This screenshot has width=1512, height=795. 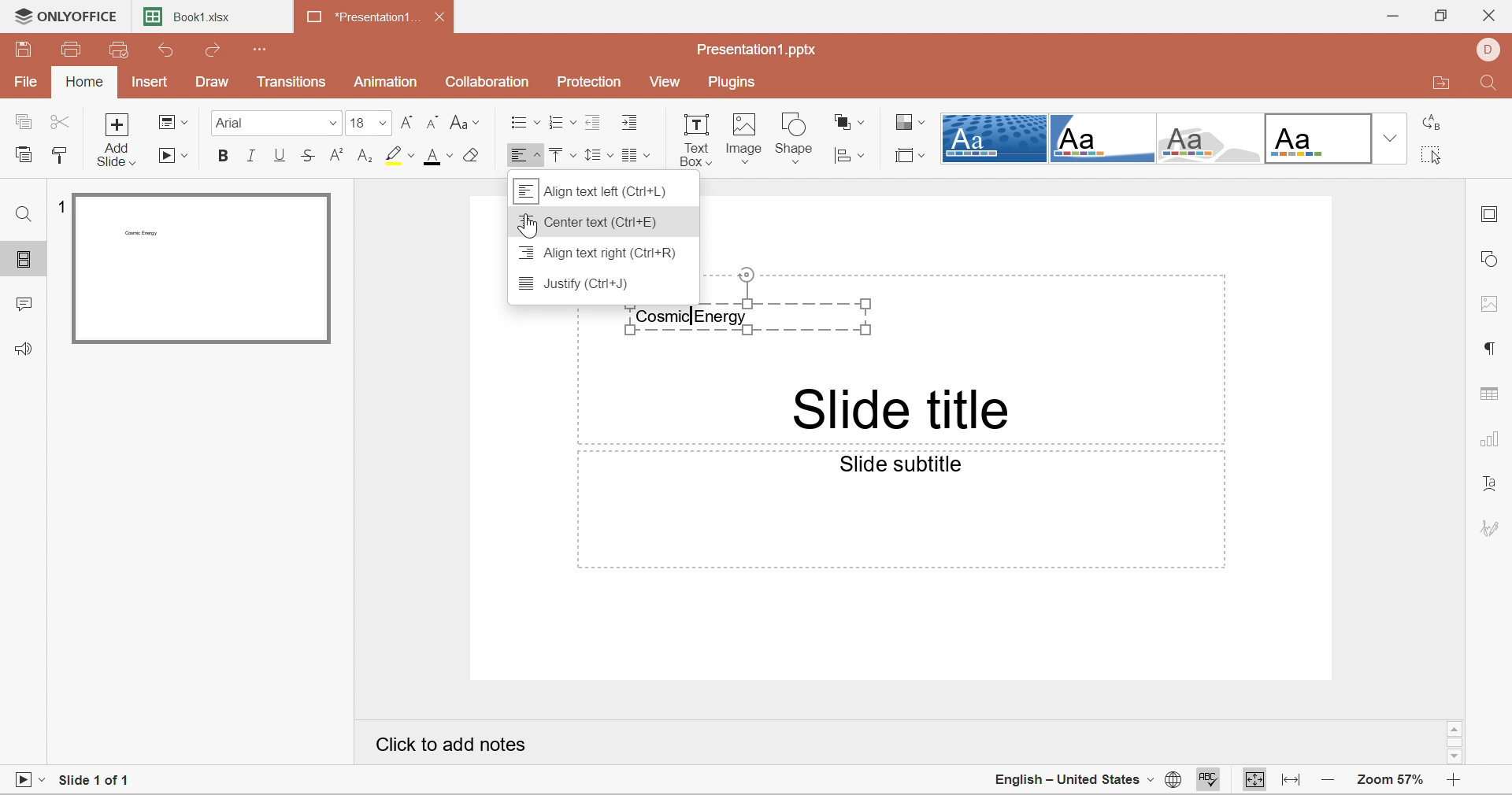 I want to click on Superscript, so click(x=337, y=156).